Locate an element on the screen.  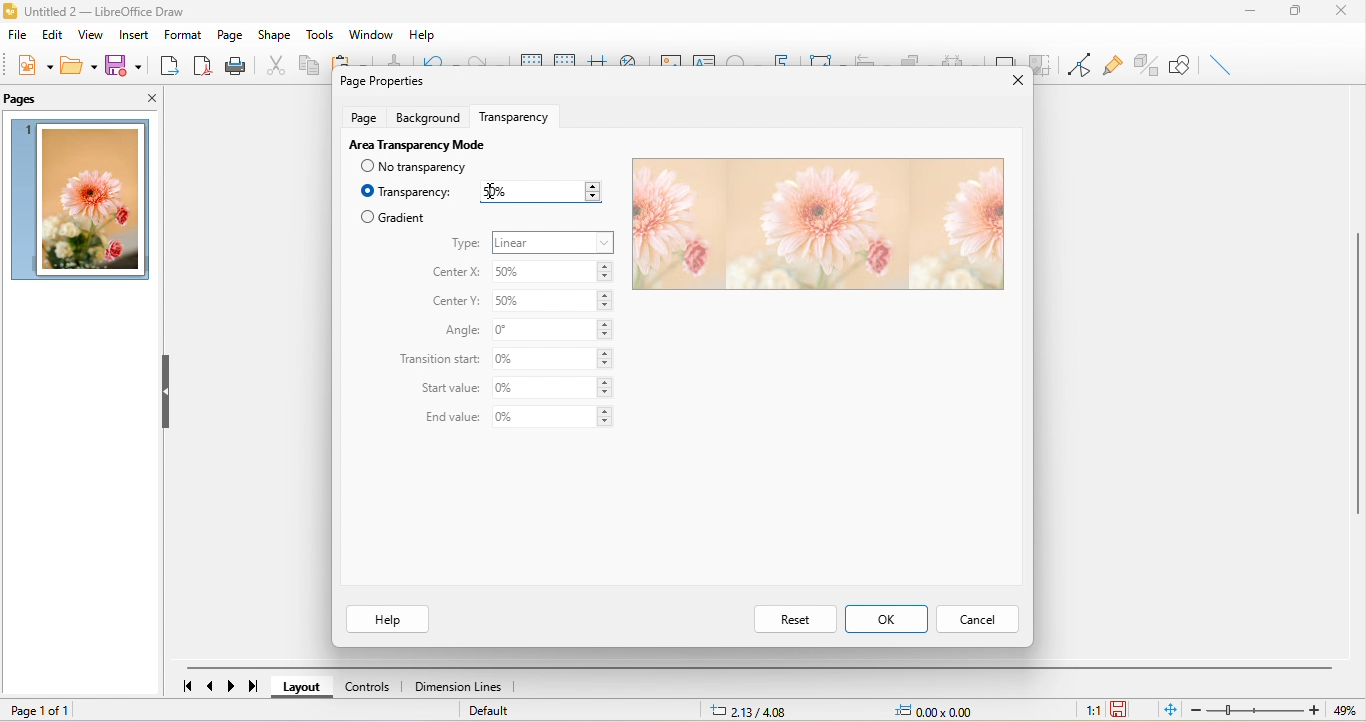
view is located at coordinates (94, 34).